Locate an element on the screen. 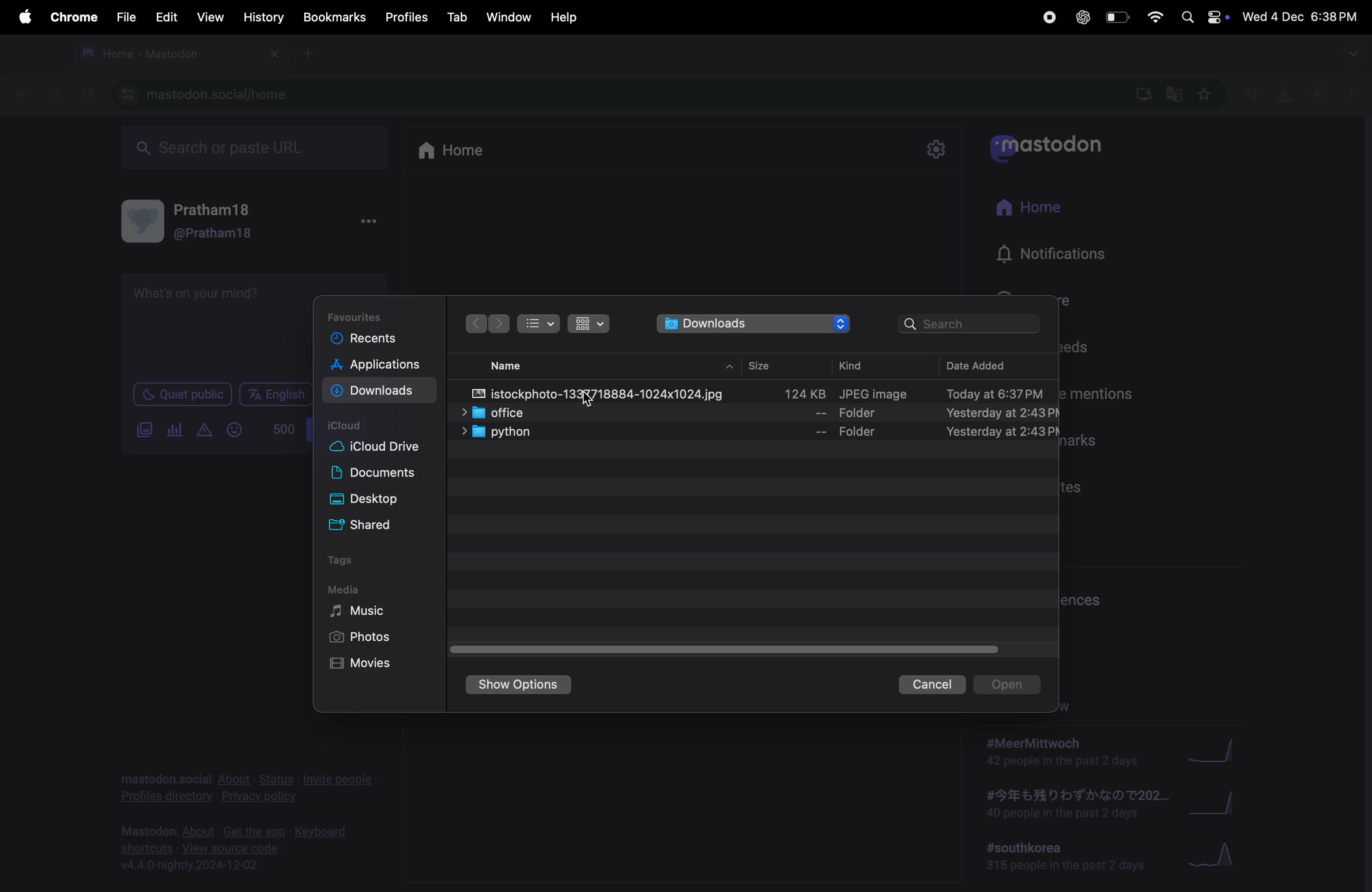 The height and width of the screenshot is (892, 1372). shared is located at coordinates (386, 526).